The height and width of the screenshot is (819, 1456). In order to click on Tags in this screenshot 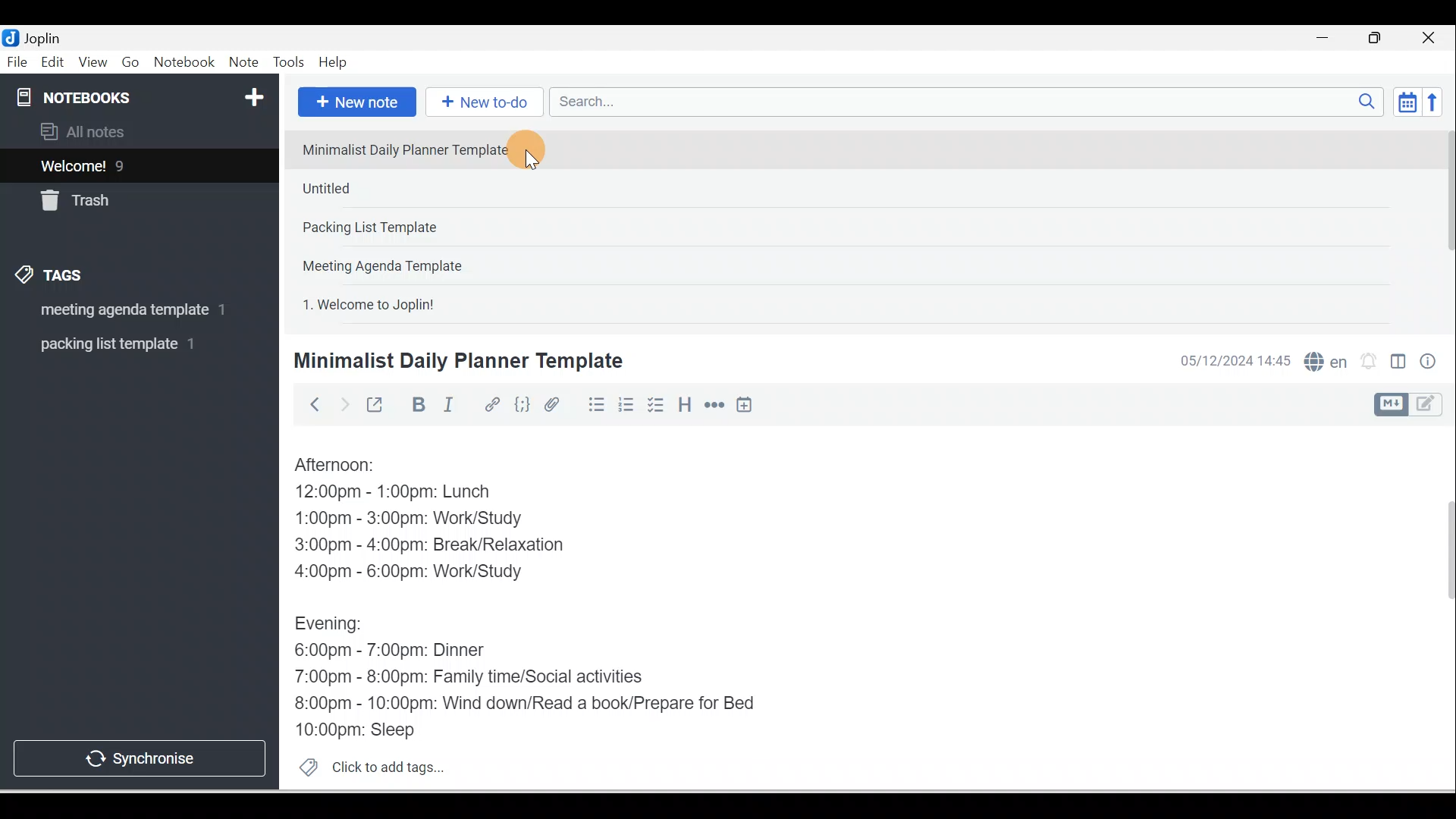, I will do `click(54, 278)`.